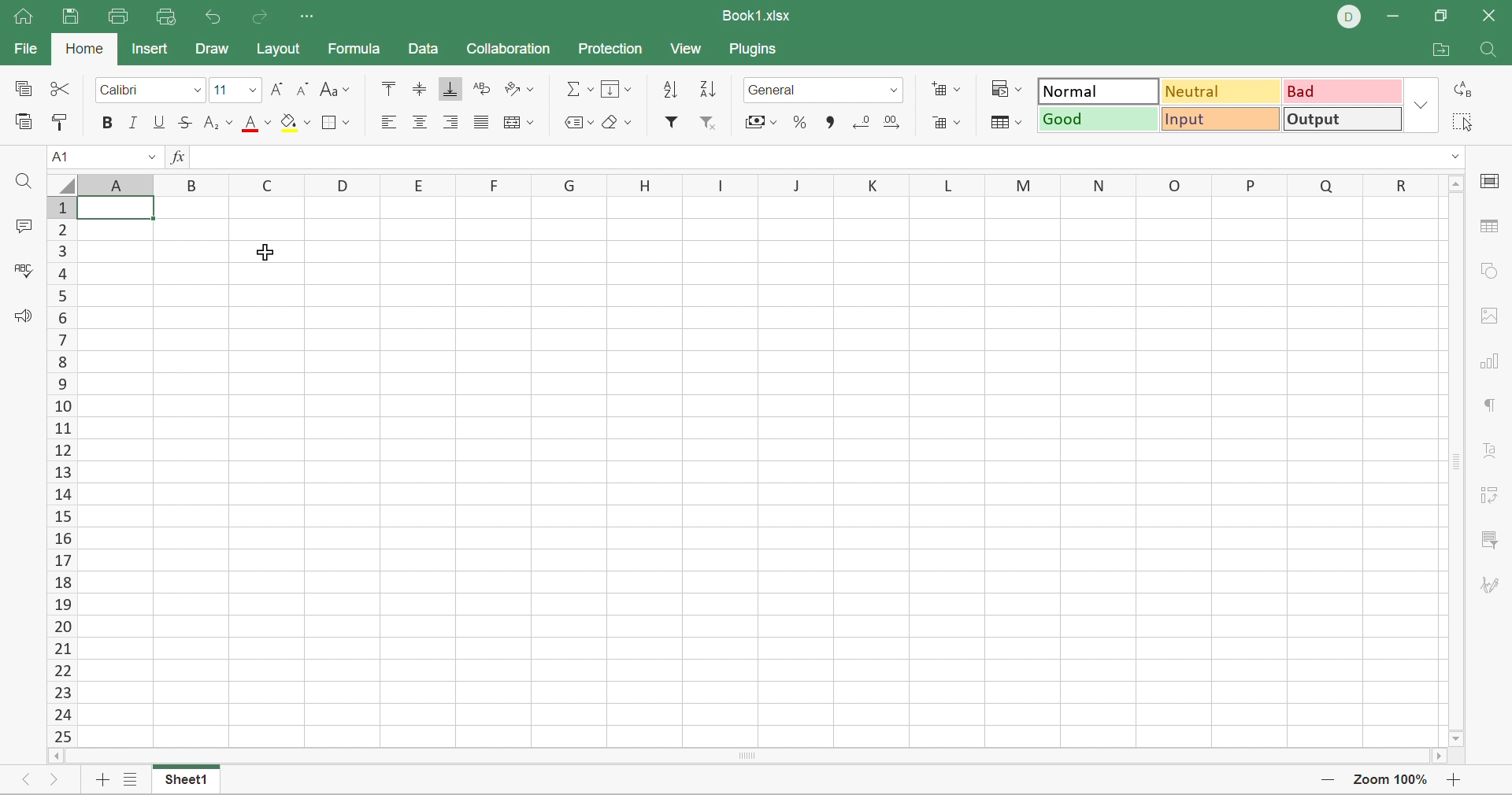 The image size is (1512, 795). What do you see at coordinates (1451, 155) in the screenshot?
I see `Drop Down` at bounding box center [1451, 155].